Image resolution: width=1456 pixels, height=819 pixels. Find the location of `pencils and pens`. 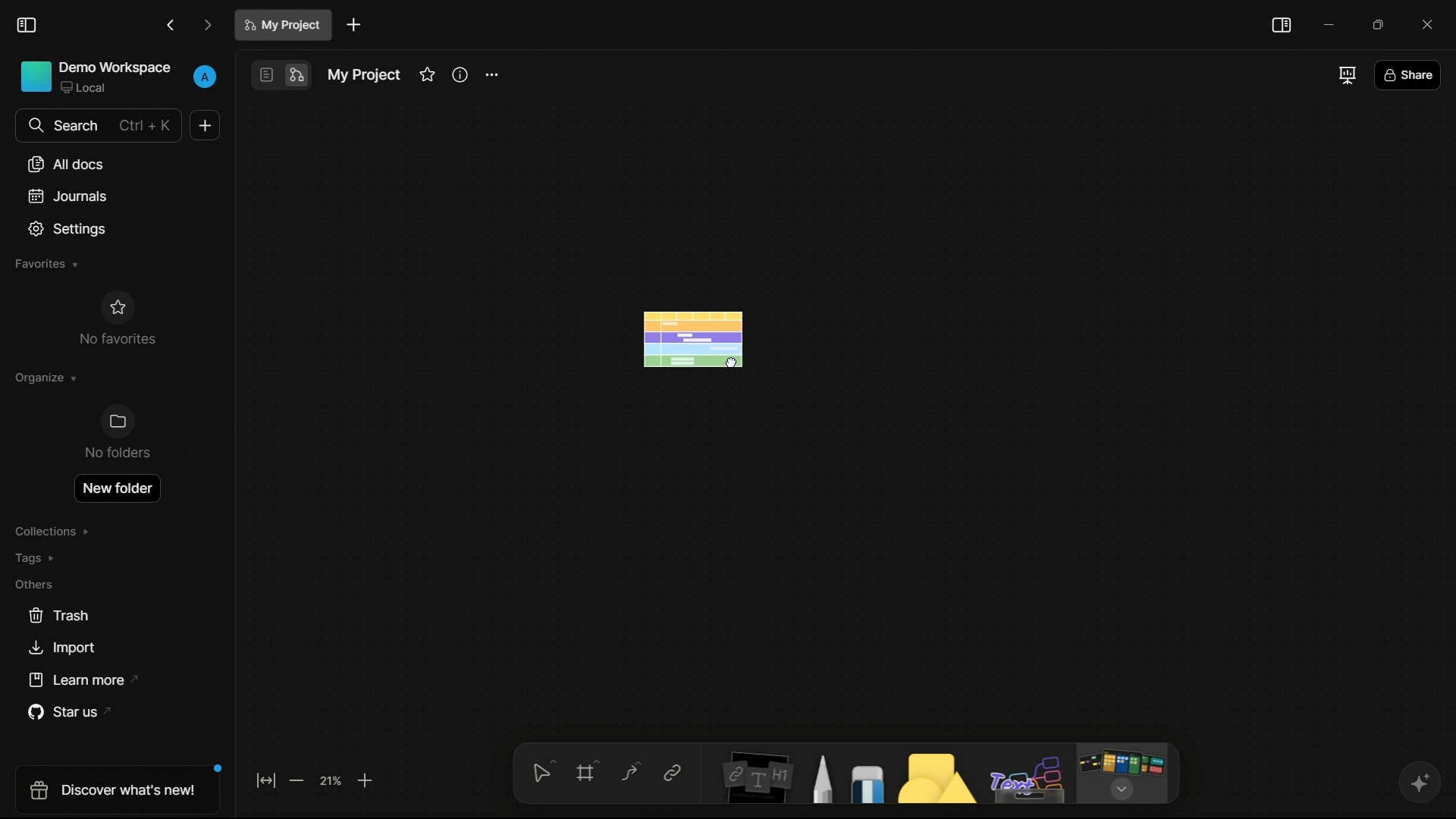

pencils and pens is located at coordinates (824, 779).